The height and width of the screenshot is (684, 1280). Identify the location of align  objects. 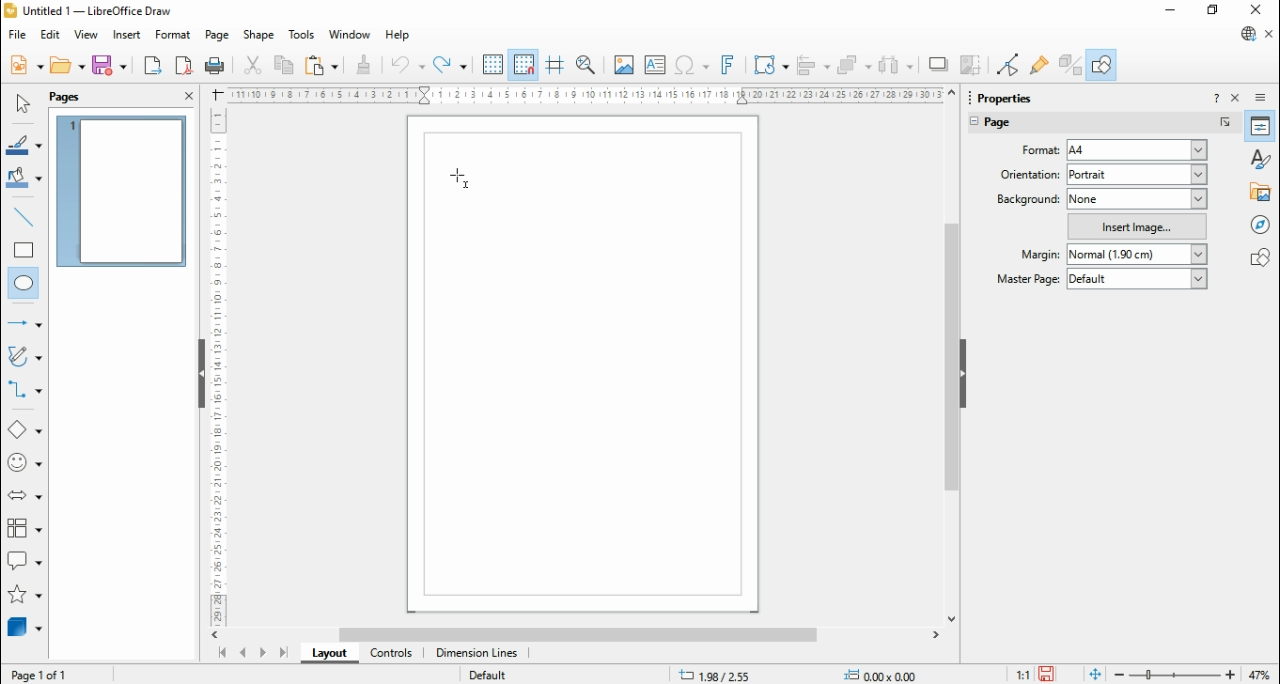
(813, 65).